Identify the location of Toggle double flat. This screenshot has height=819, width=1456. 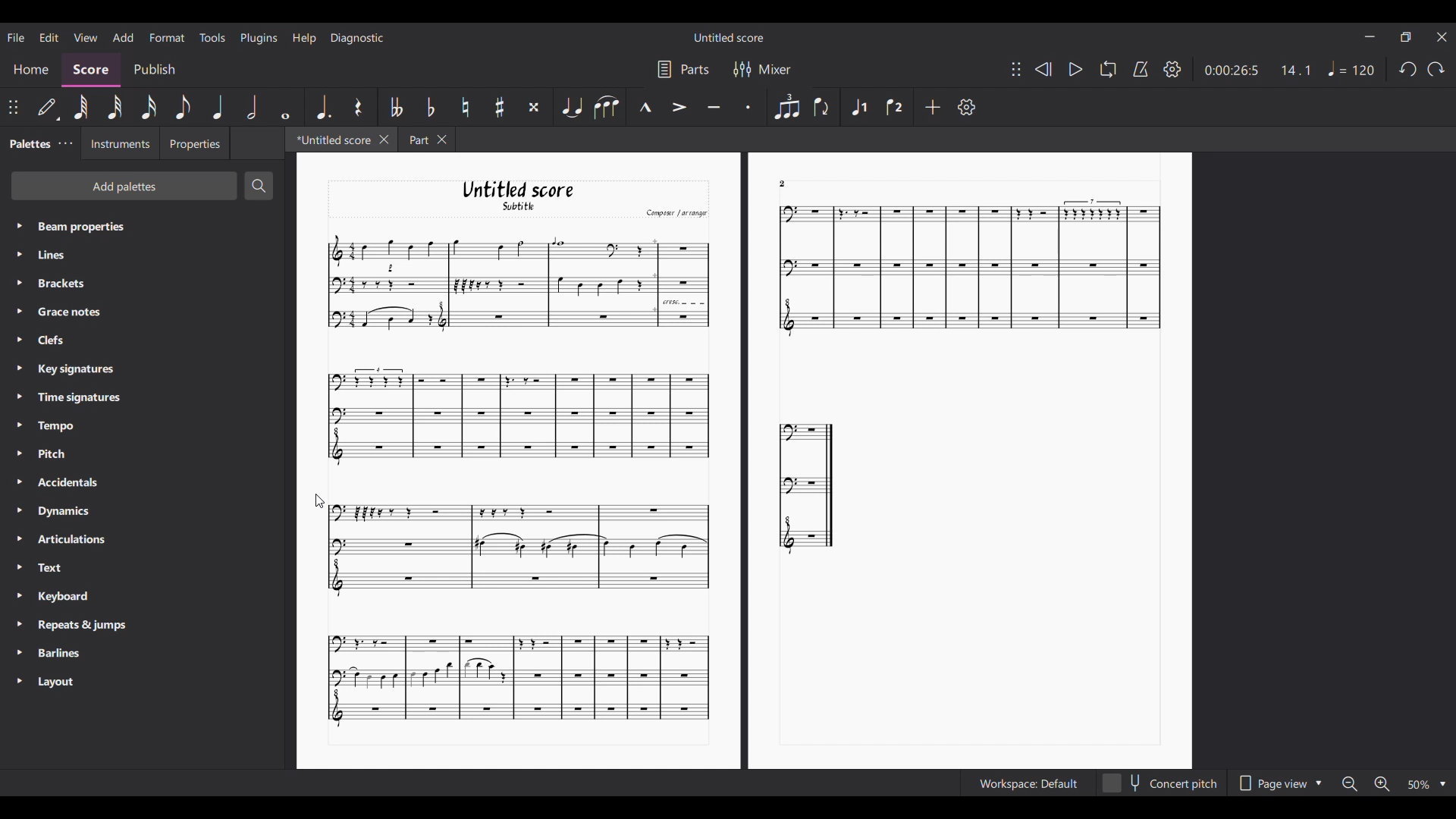
(397, 107).